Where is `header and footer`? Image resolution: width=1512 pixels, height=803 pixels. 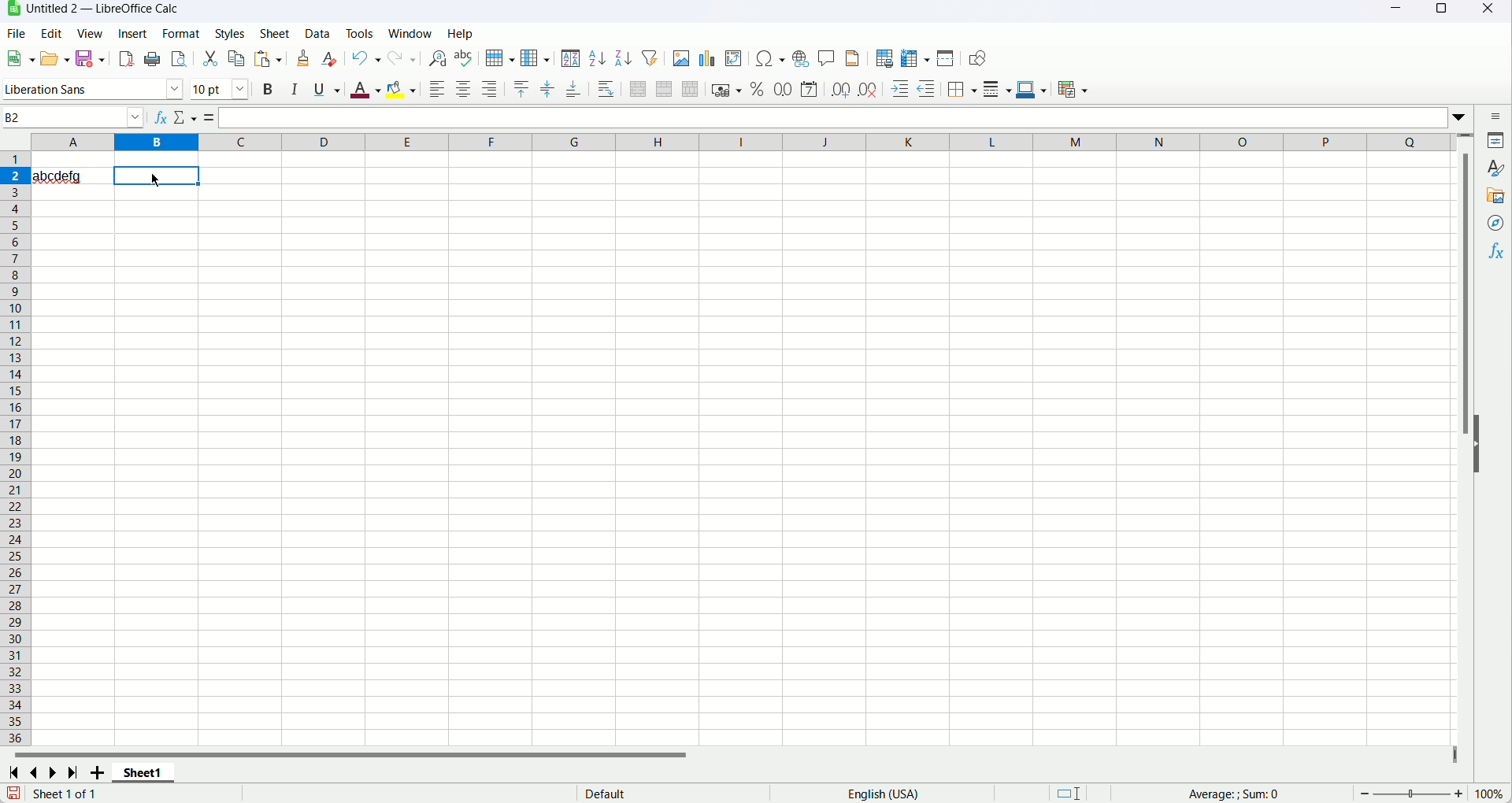
header and footer is located at coordinates (852, 58).